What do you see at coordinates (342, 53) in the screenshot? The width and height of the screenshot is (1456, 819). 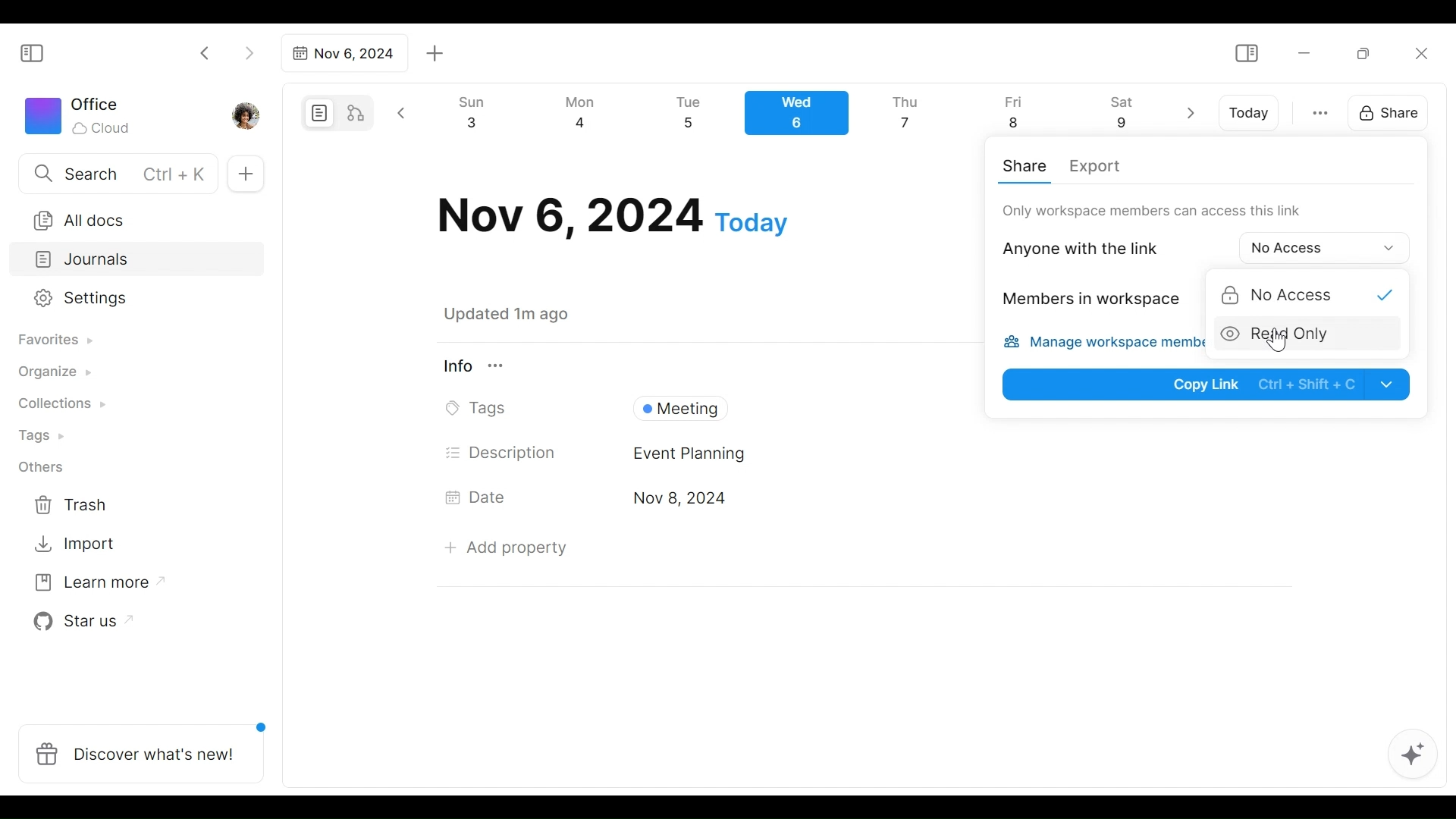 I see `Tab` at bounding box center [342, 53].